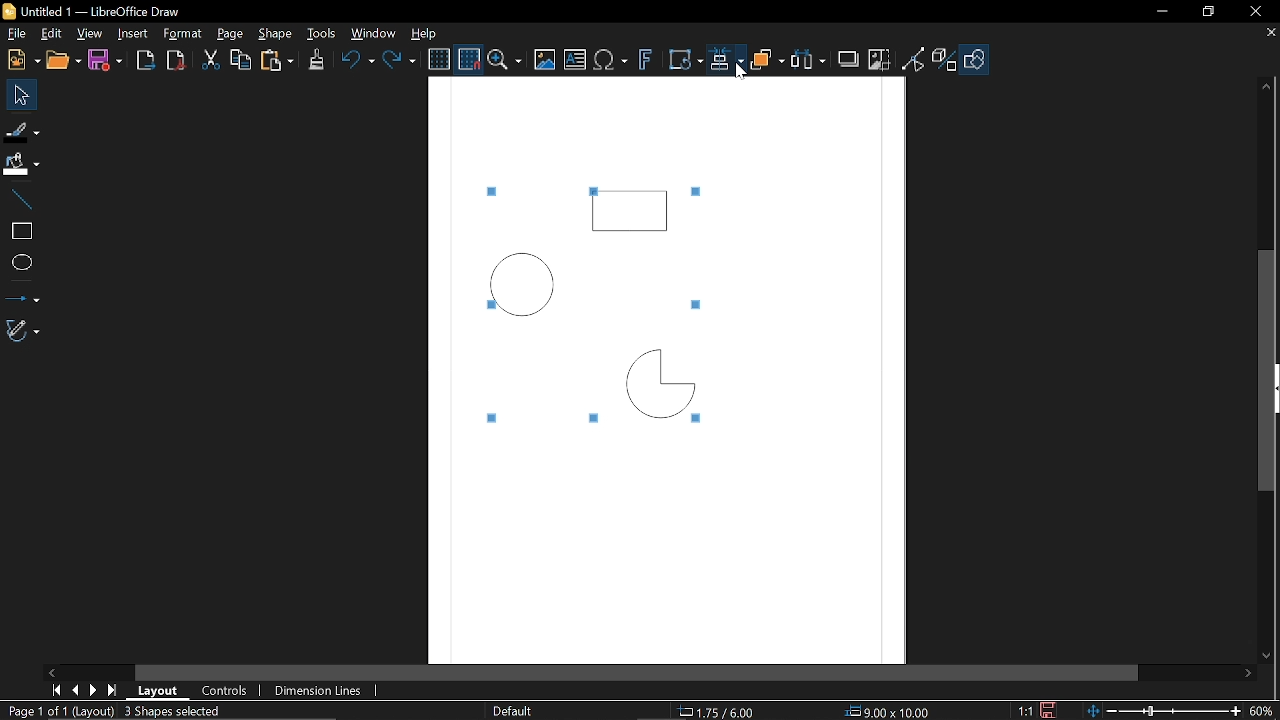  What do you see at coordinates (702, 425) in the screenshot?
I see `Tiny square marked around the selected objects` at bounding box center [702, 425].